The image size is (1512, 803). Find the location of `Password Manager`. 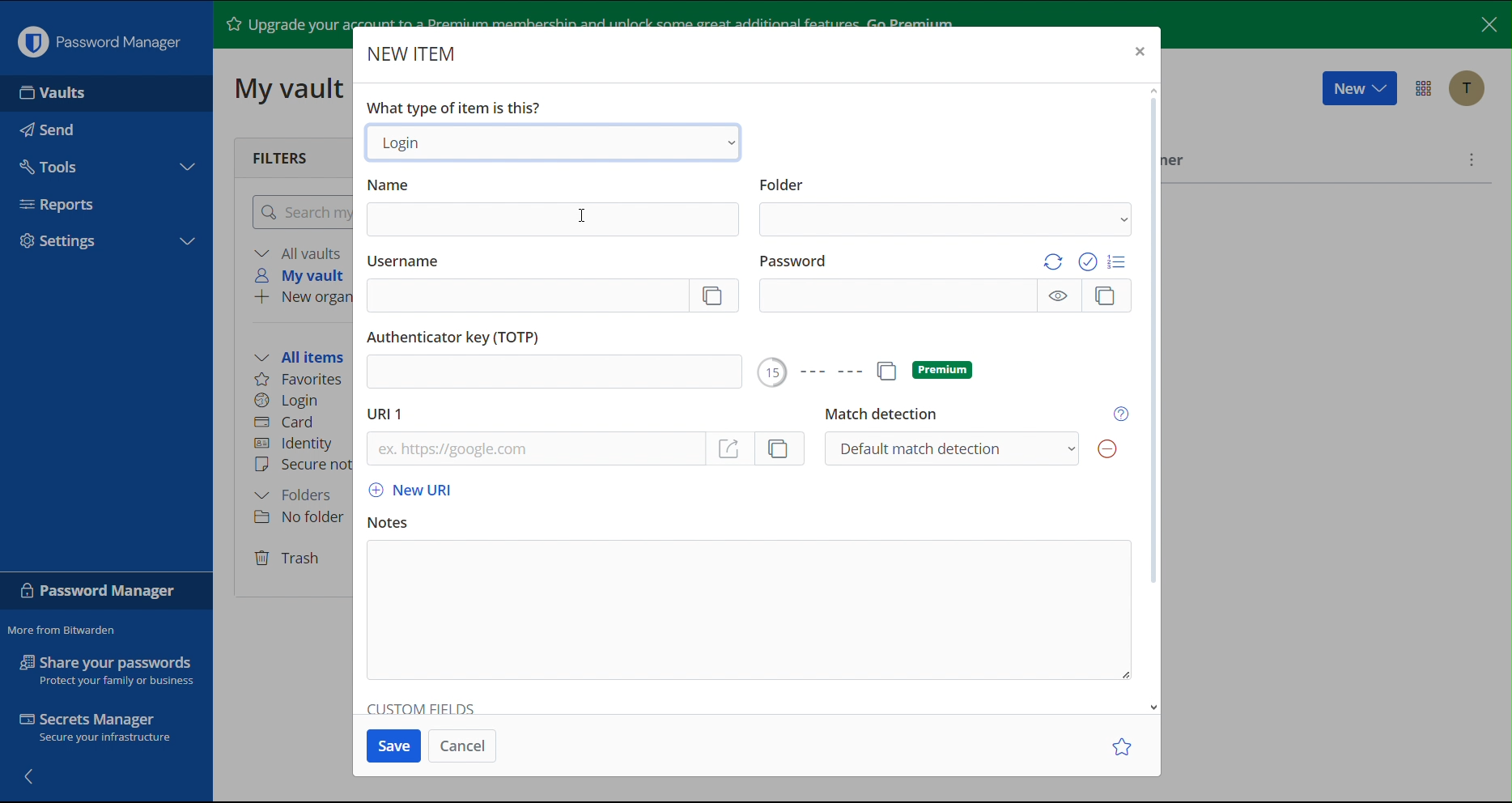

Password Manager is located at coordinates (104, 593).